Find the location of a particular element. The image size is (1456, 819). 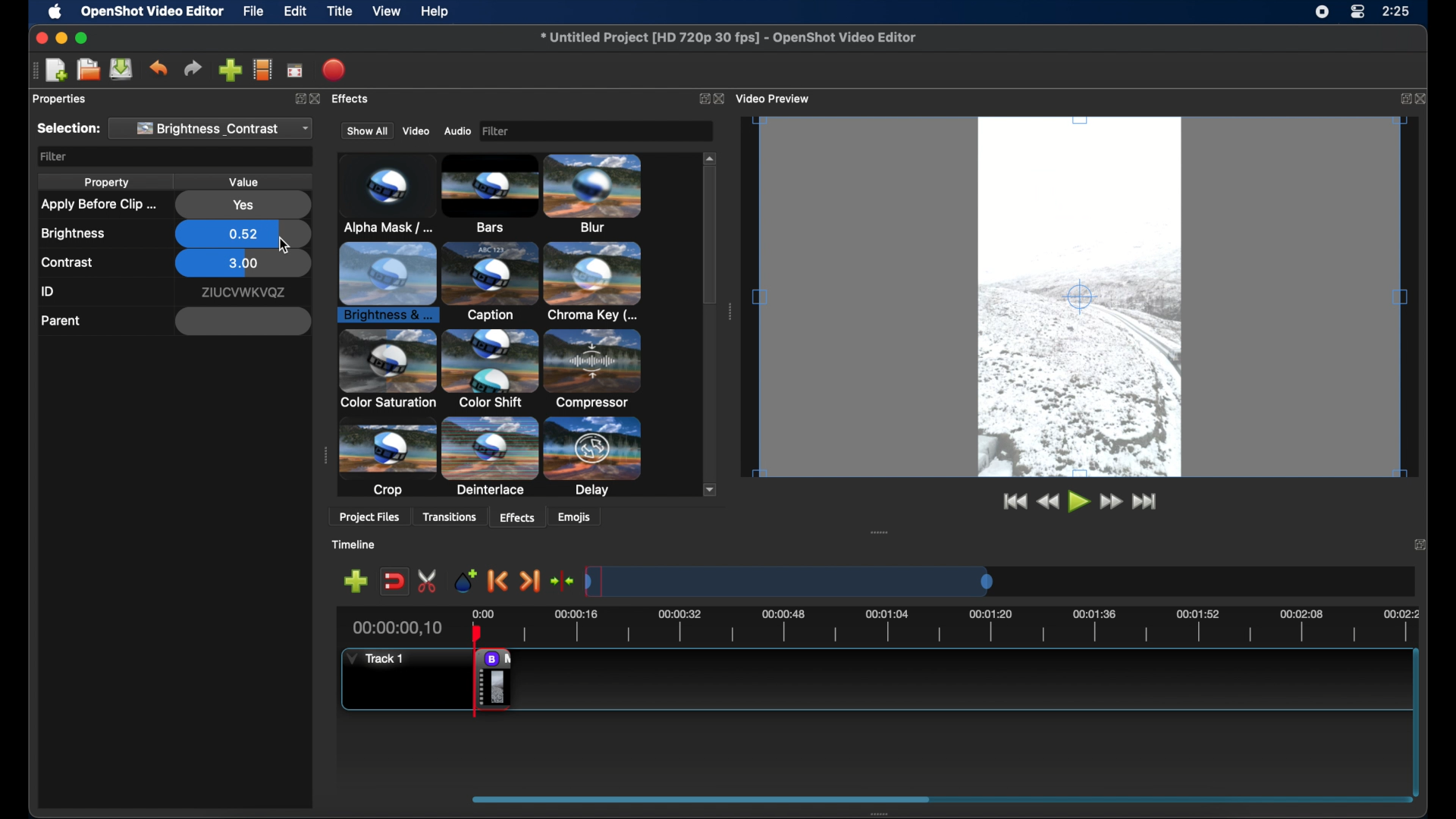

color saturation is located at coordinates (494, 282).